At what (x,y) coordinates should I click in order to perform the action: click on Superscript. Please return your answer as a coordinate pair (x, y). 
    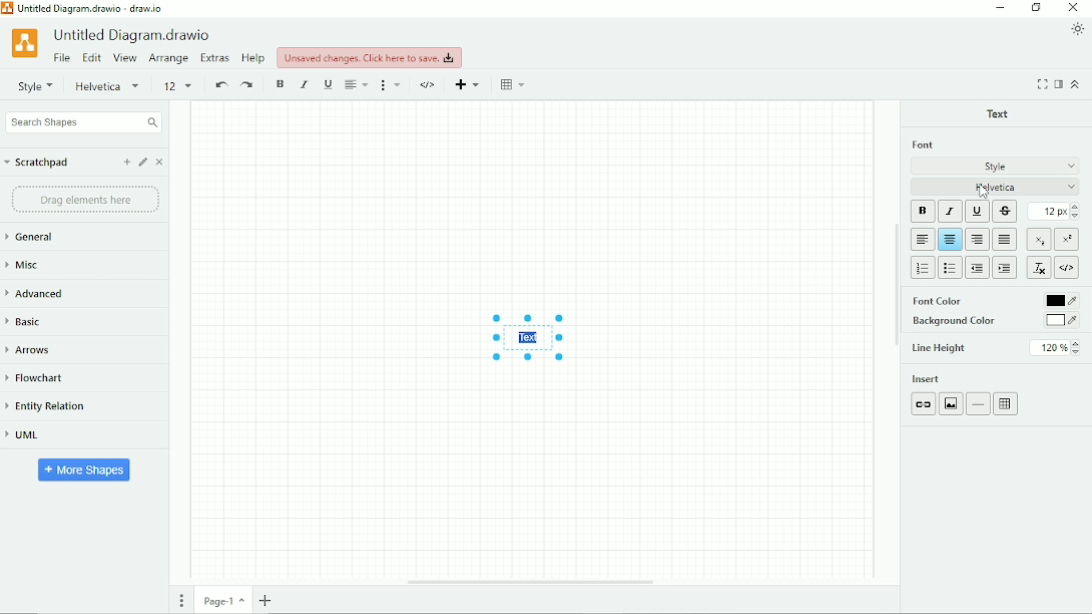
    Looking at the image, I should click on (1066, 240).